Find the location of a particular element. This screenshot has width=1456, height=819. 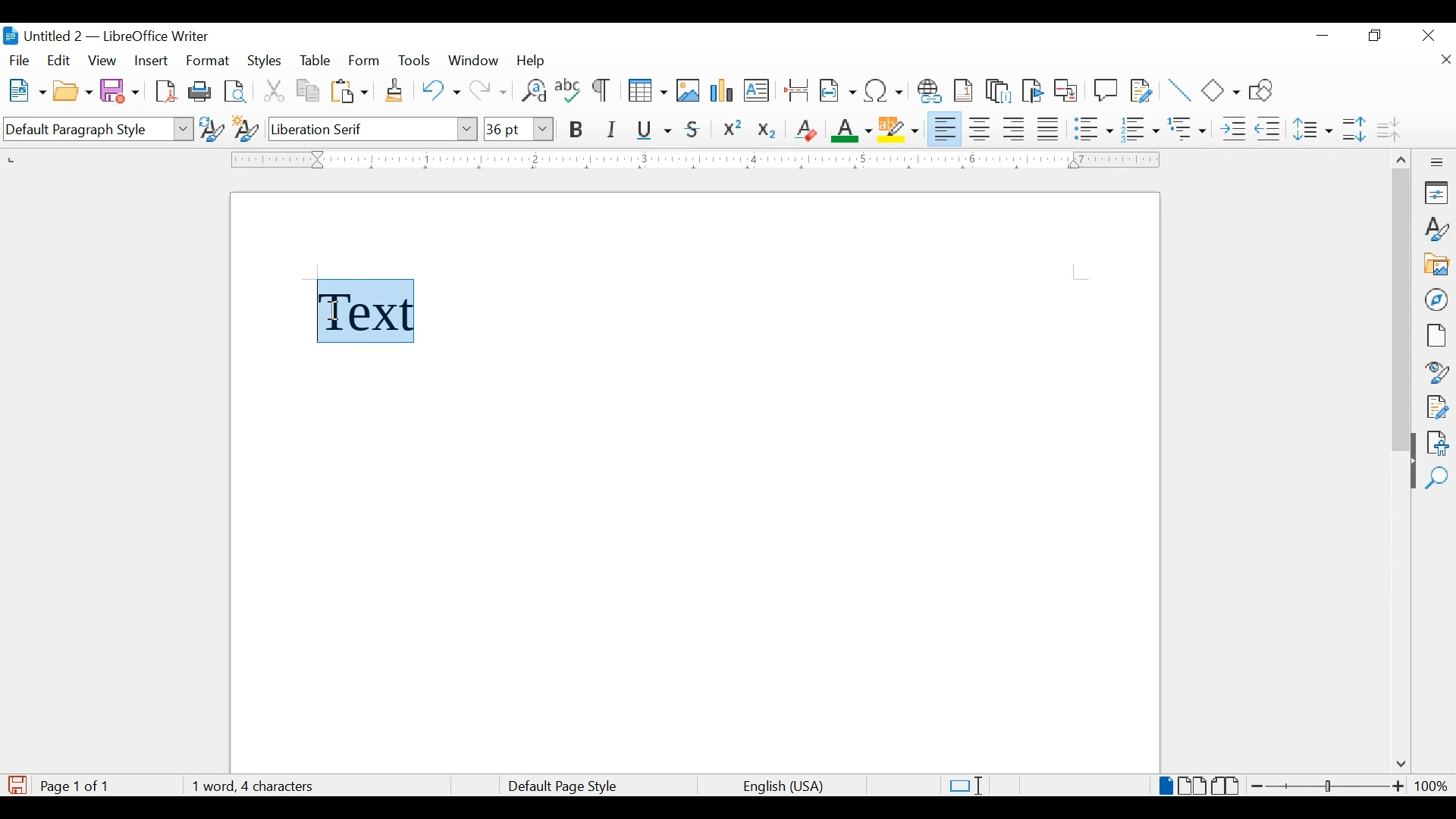

tools is located at coordinates (414, 60).